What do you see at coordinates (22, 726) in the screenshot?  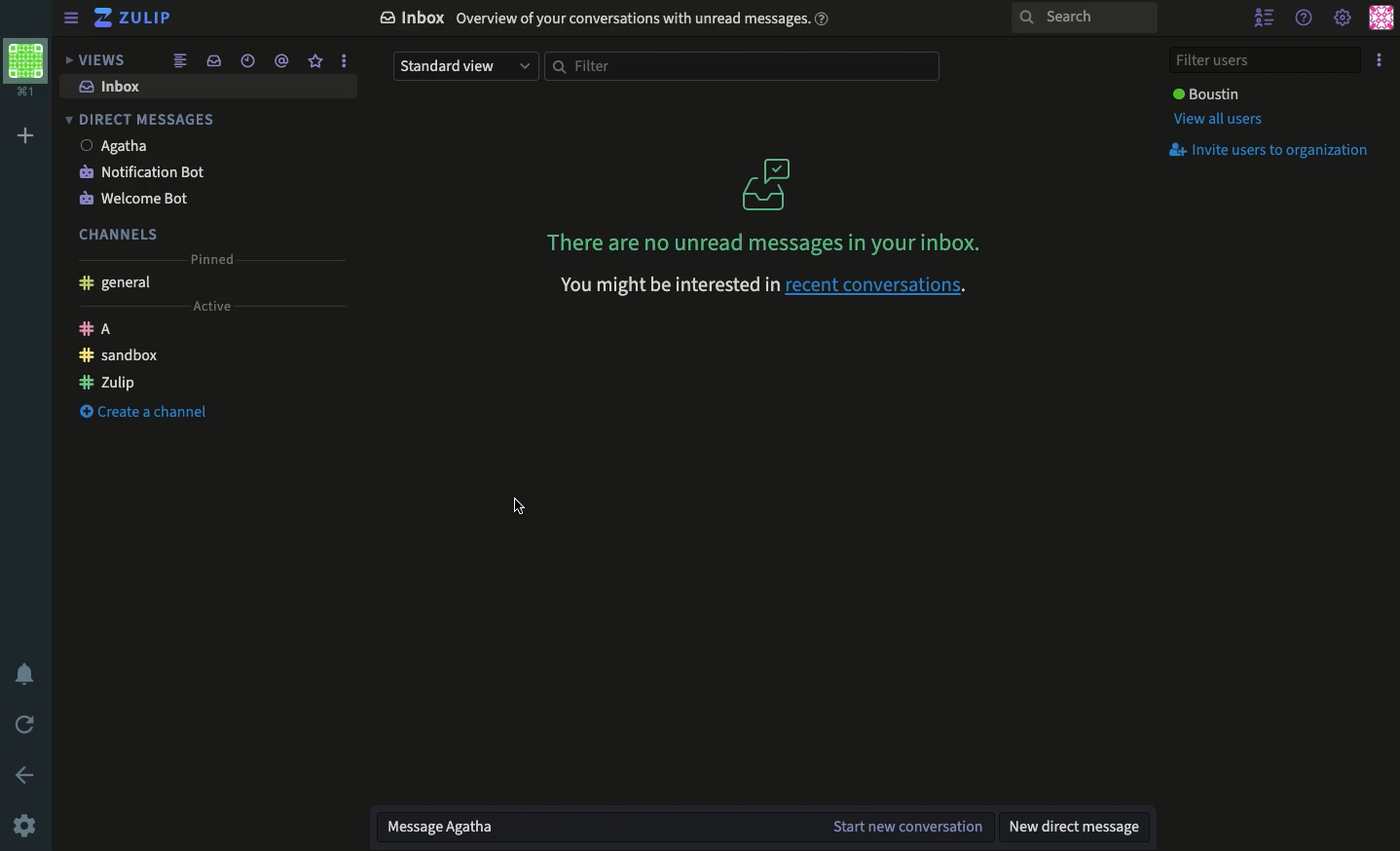 I see `Refresh` at bounding box center [22, 726].